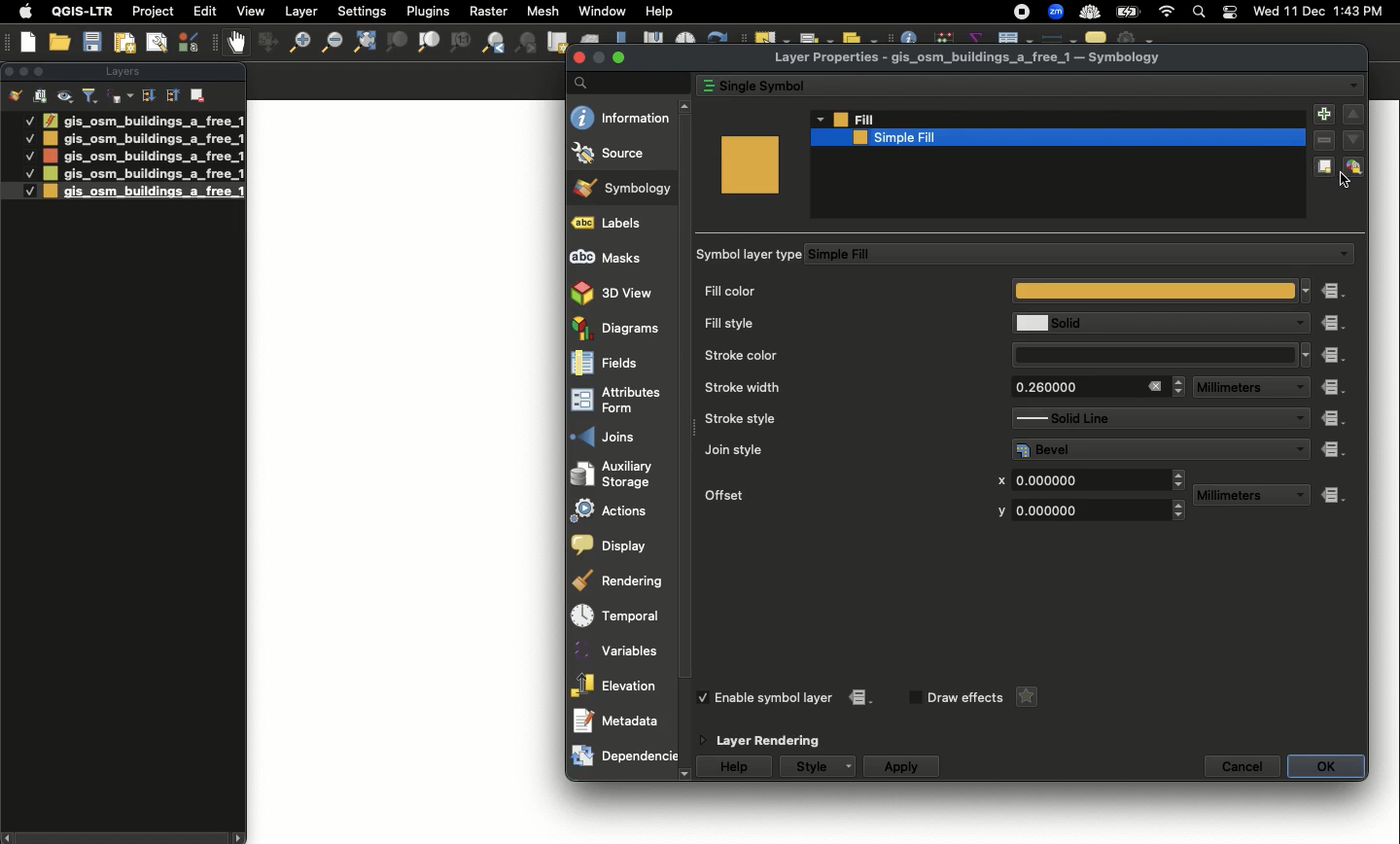 The height and width of the screenshot is (844, 1400). I want to click on , so click(217, 42).